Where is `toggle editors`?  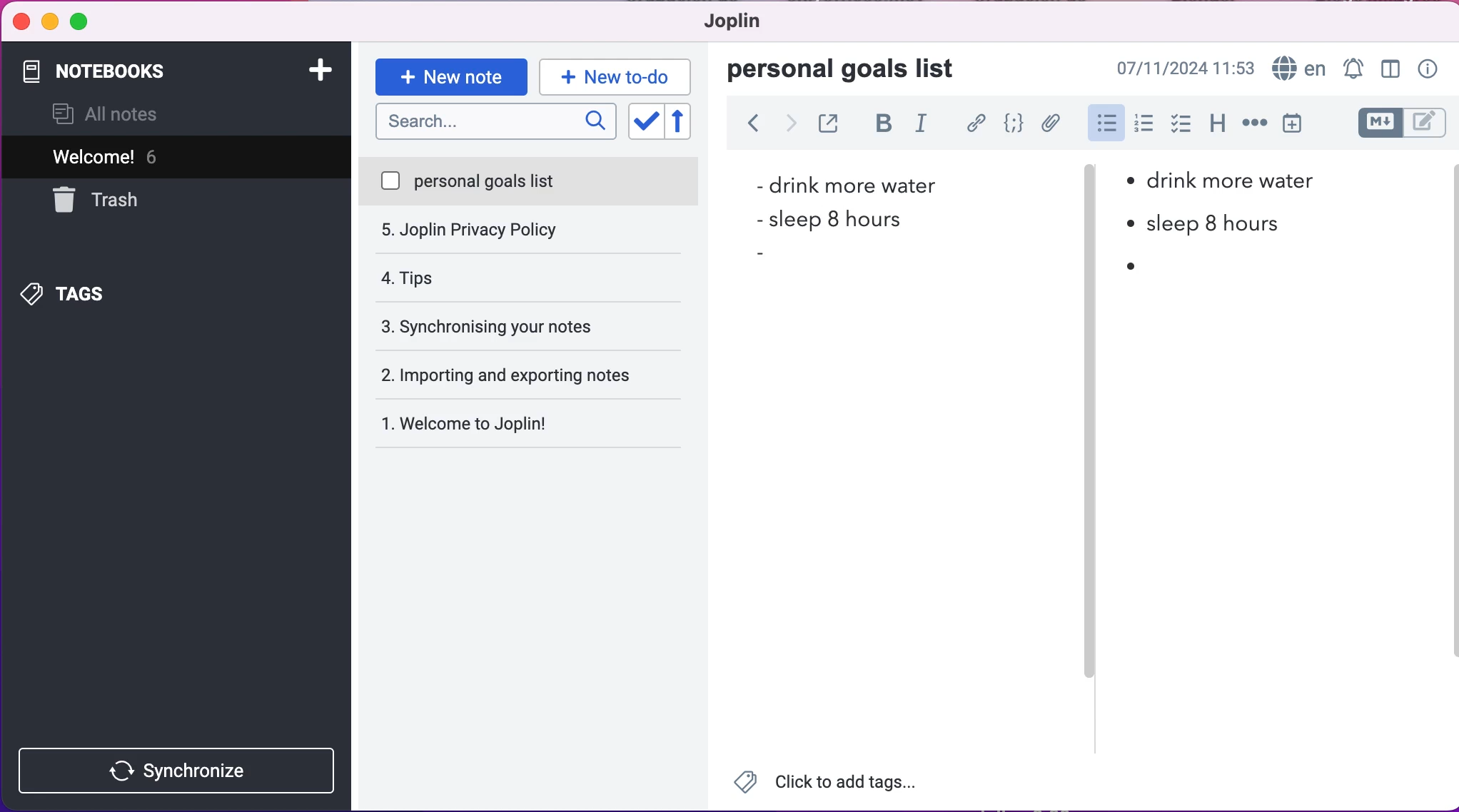
toggle editors is located at coordinates (1389, 123).